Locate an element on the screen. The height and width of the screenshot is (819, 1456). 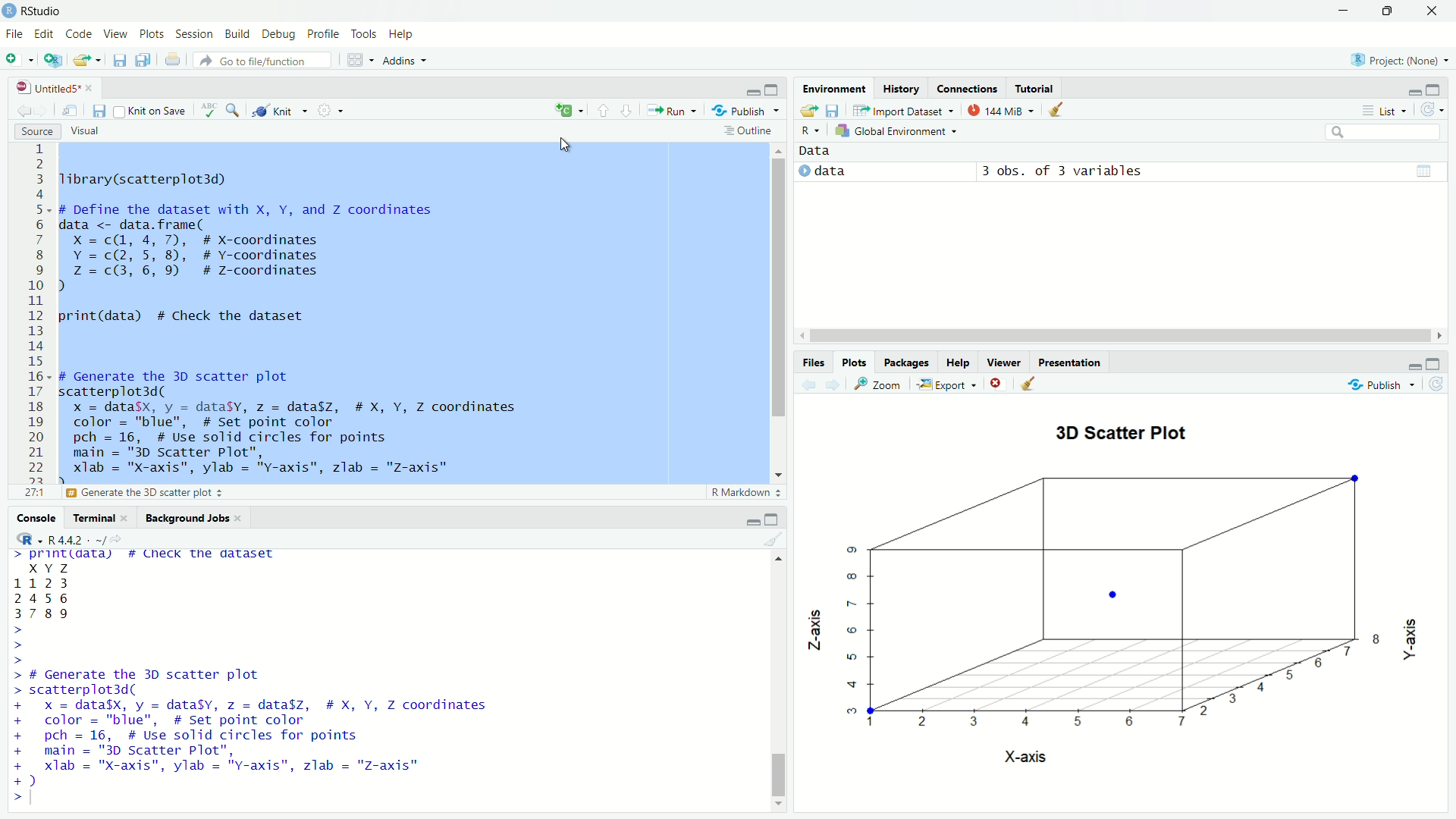
R 4.4.2 . ~/ is located at coordinates (77, 540).